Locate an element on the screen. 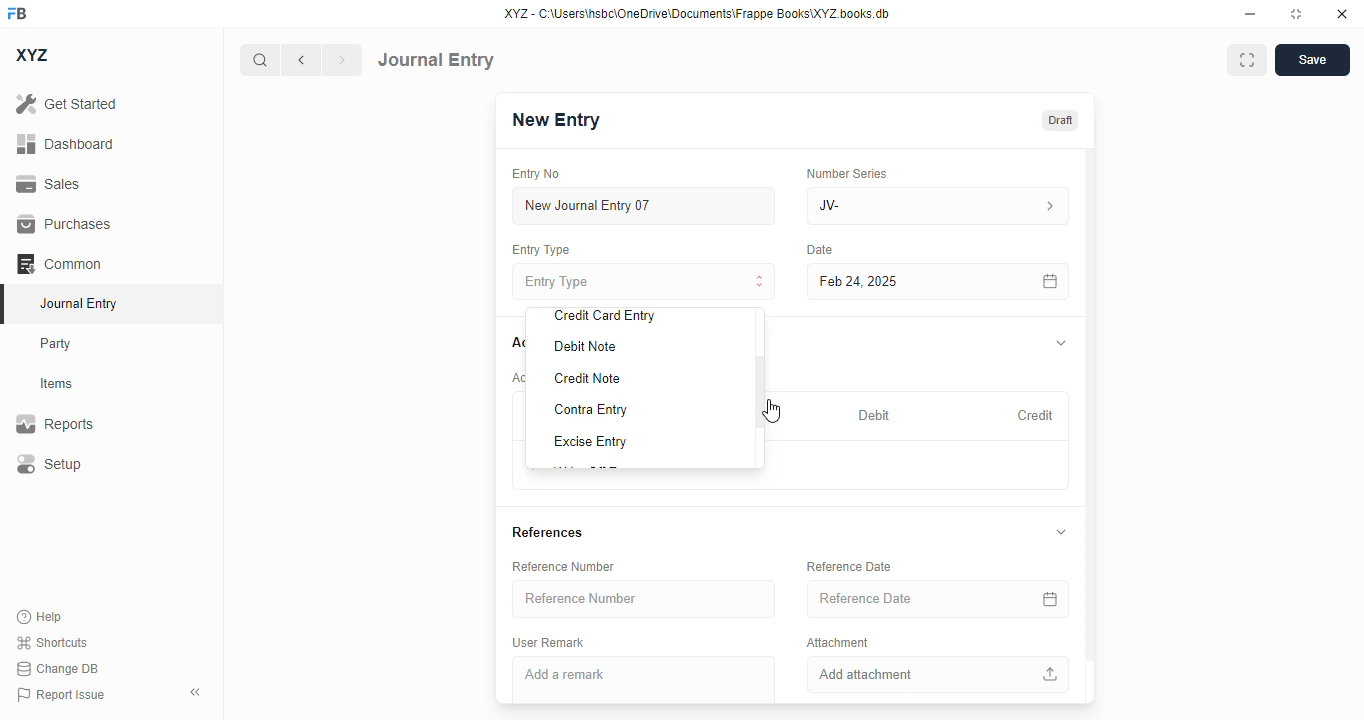 This screenshot has height=720, width=1364. add a remark is located at coordinates (643, 679).